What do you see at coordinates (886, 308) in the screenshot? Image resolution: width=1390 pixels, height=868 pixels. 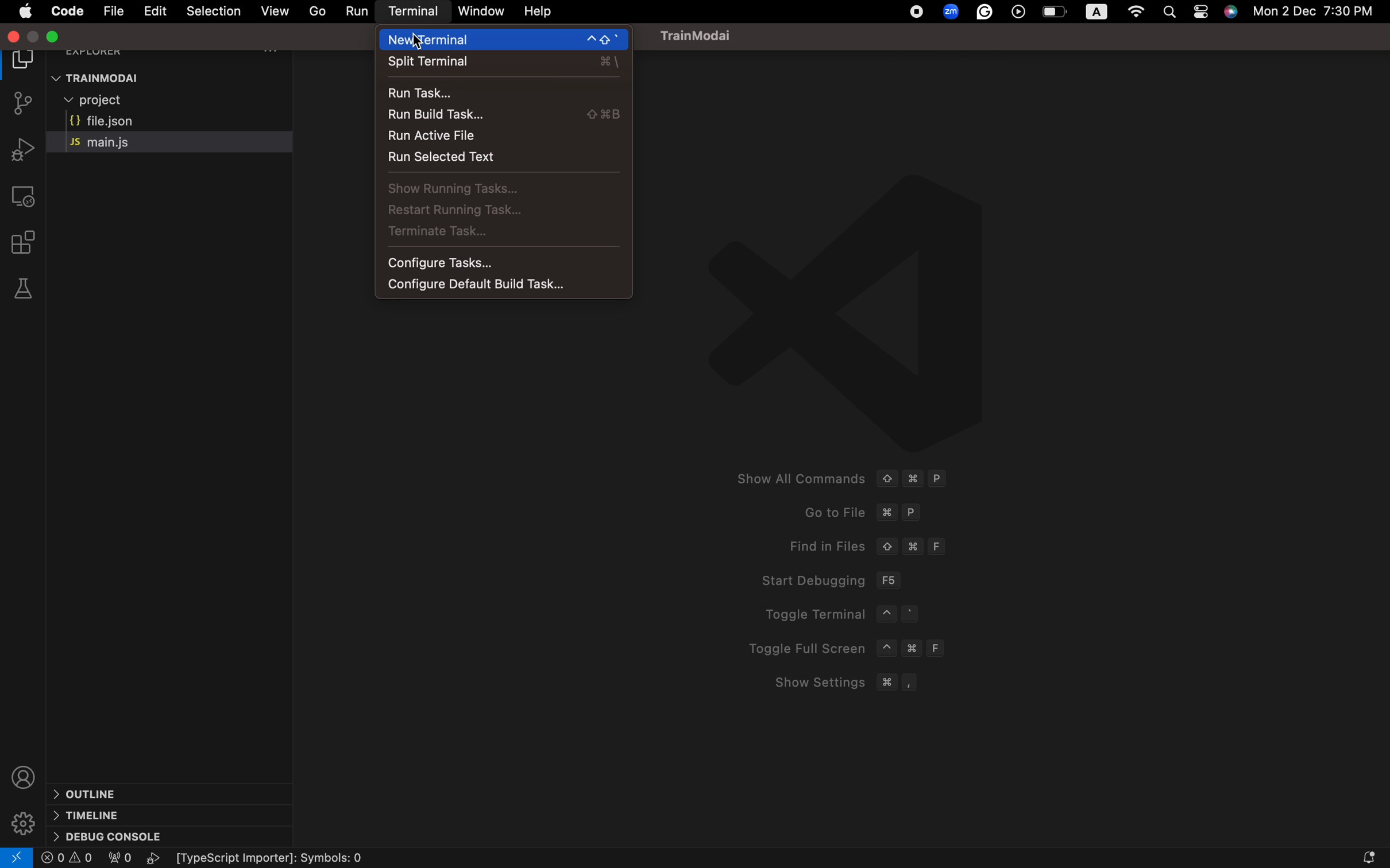 I see `Logo` at bounding box center [886, 308].